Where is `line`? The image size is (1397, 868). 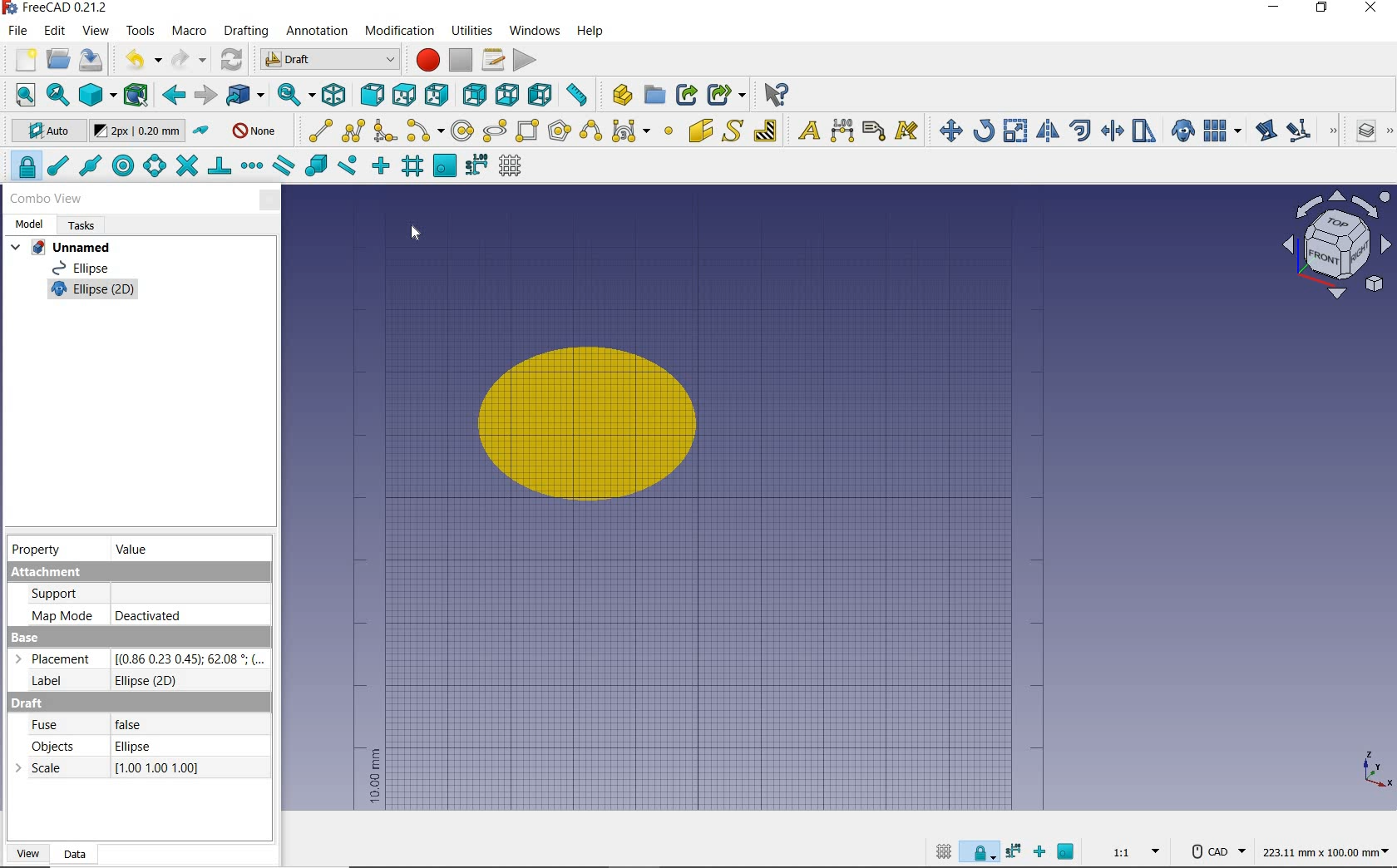 line is located at coordinates (318, 130).